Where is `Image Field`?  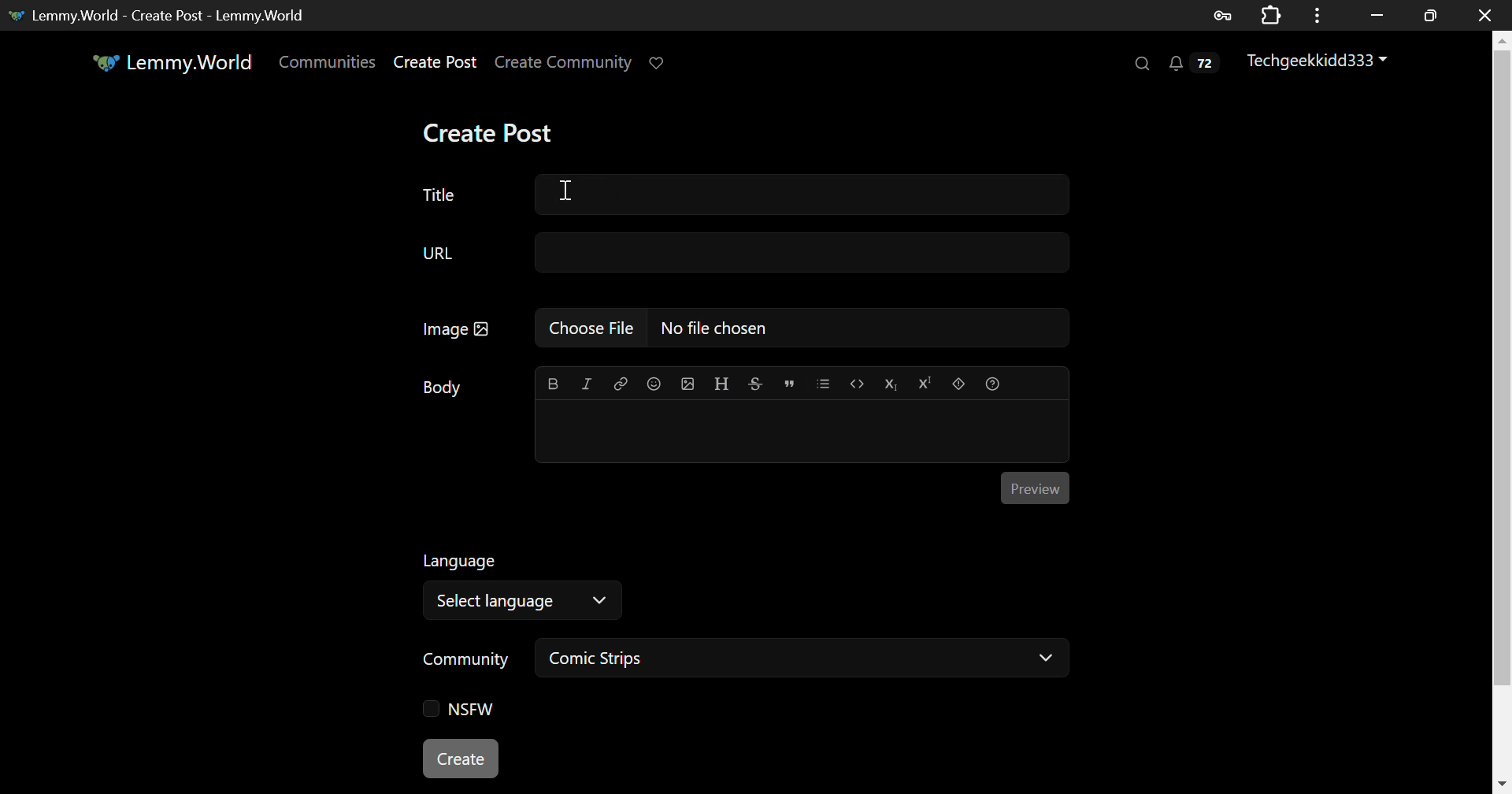 Image Field is located at coordinates (740, 327).